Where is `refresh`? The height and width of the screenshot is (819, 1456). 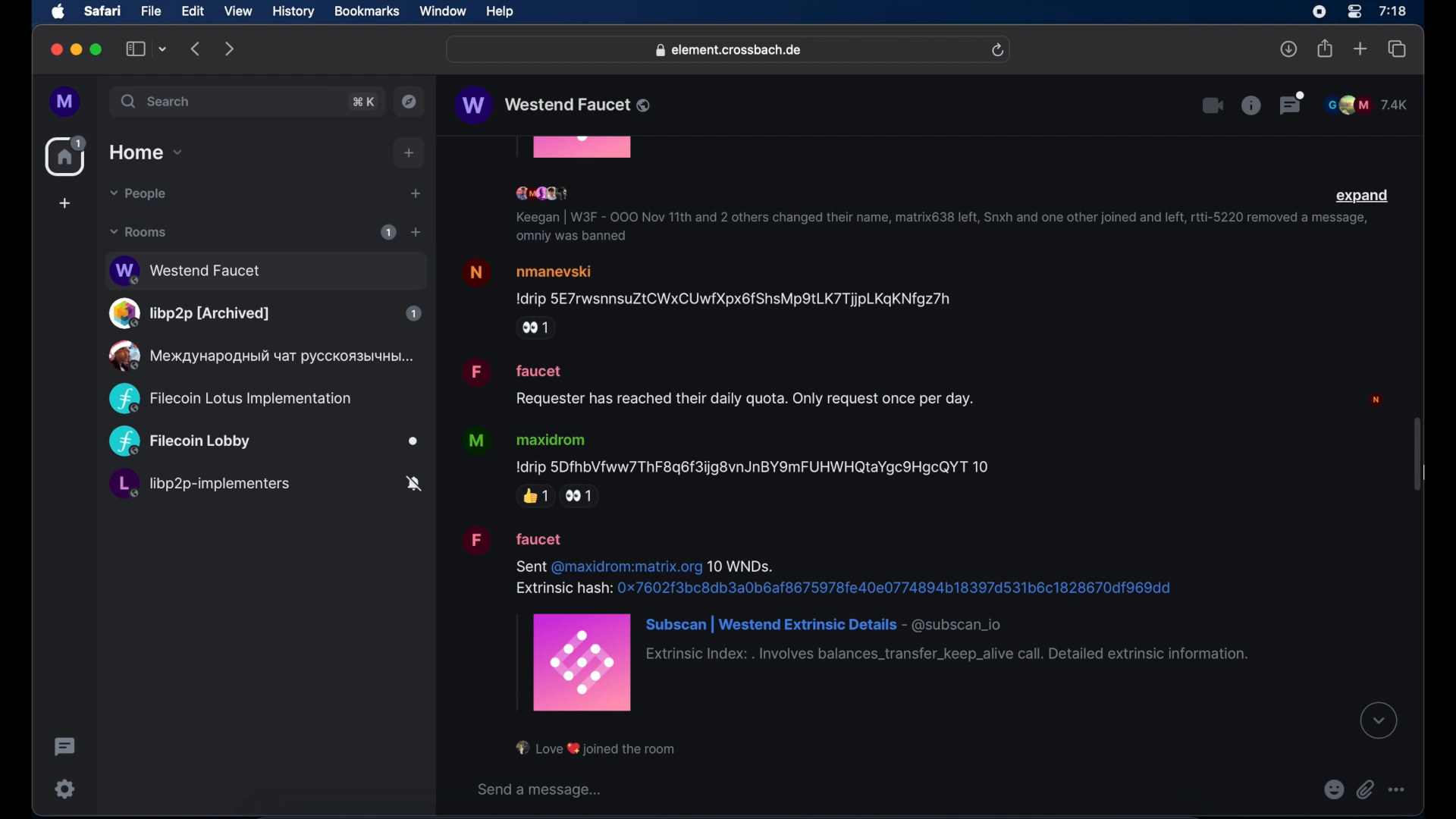
refresh is located at coordinates (997, 51).